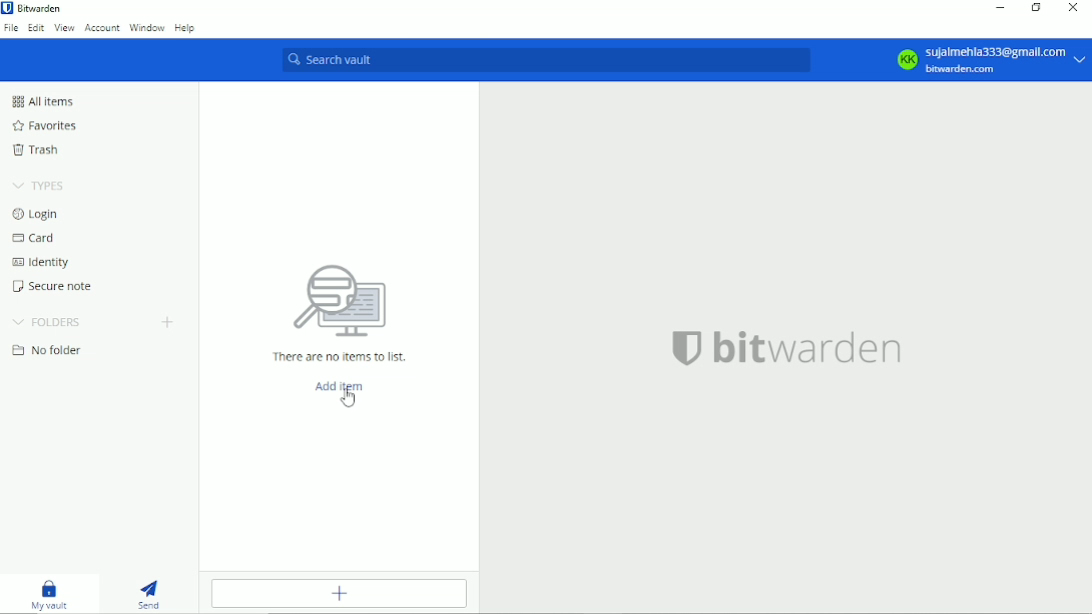  What do you see at coordinates (799, 347) in the screenshot?
I see `bitwarden ` at bounding box center [799, 347].